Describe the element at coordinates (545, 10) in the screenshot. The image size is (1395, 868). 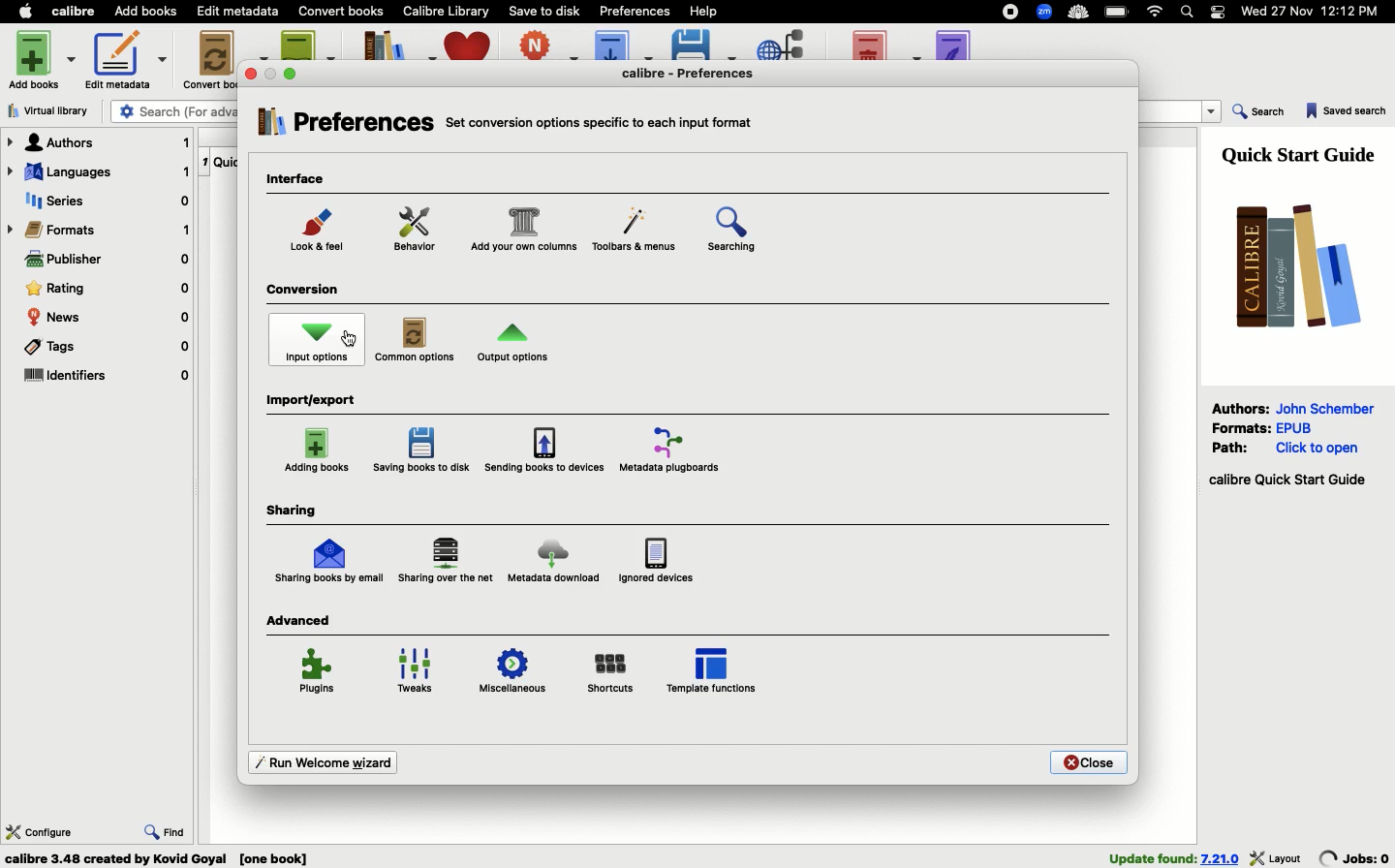
I see `Save to disk` at that location.